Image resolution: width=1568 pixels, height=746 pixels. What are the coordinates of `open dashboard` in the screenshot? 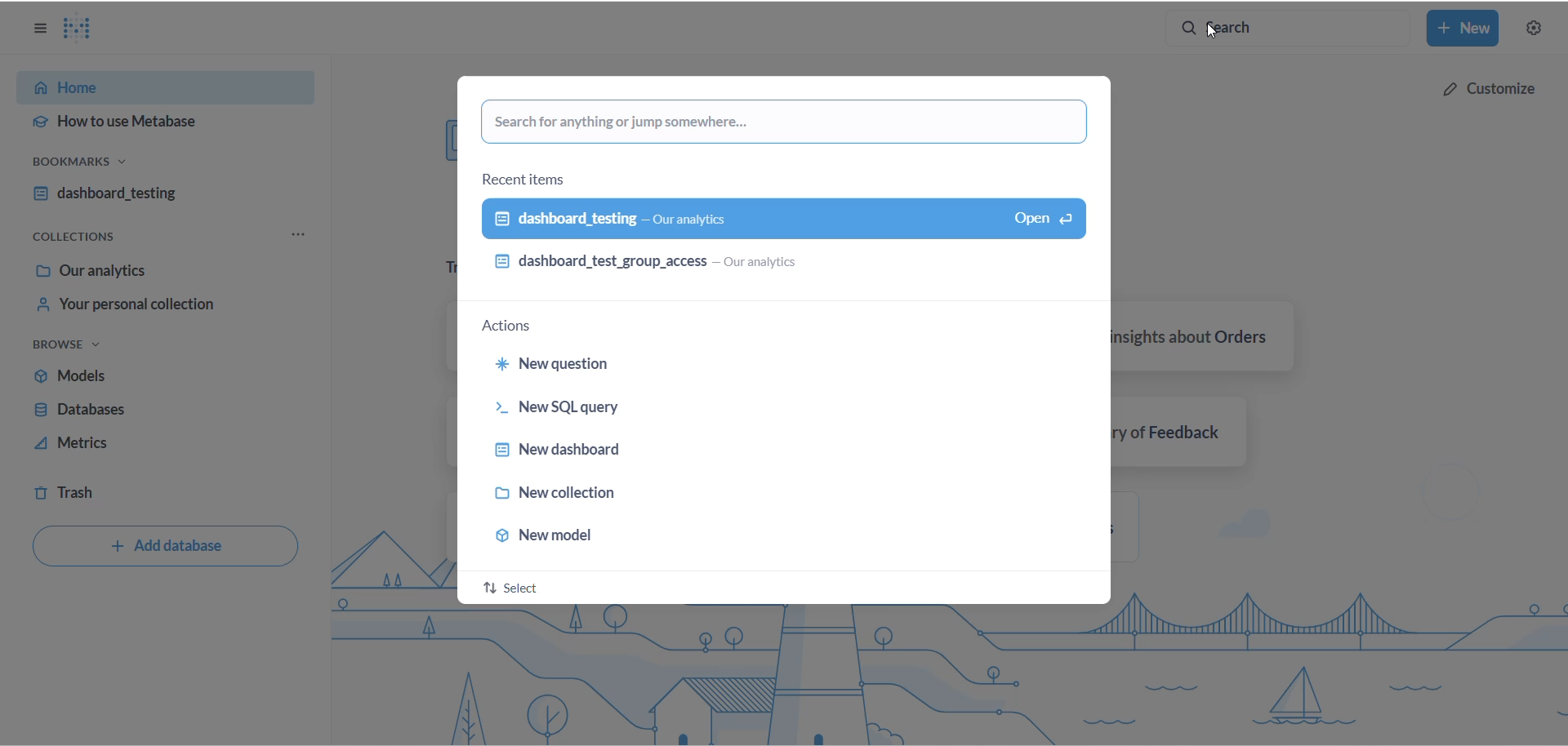 It's located at (1037, 215).